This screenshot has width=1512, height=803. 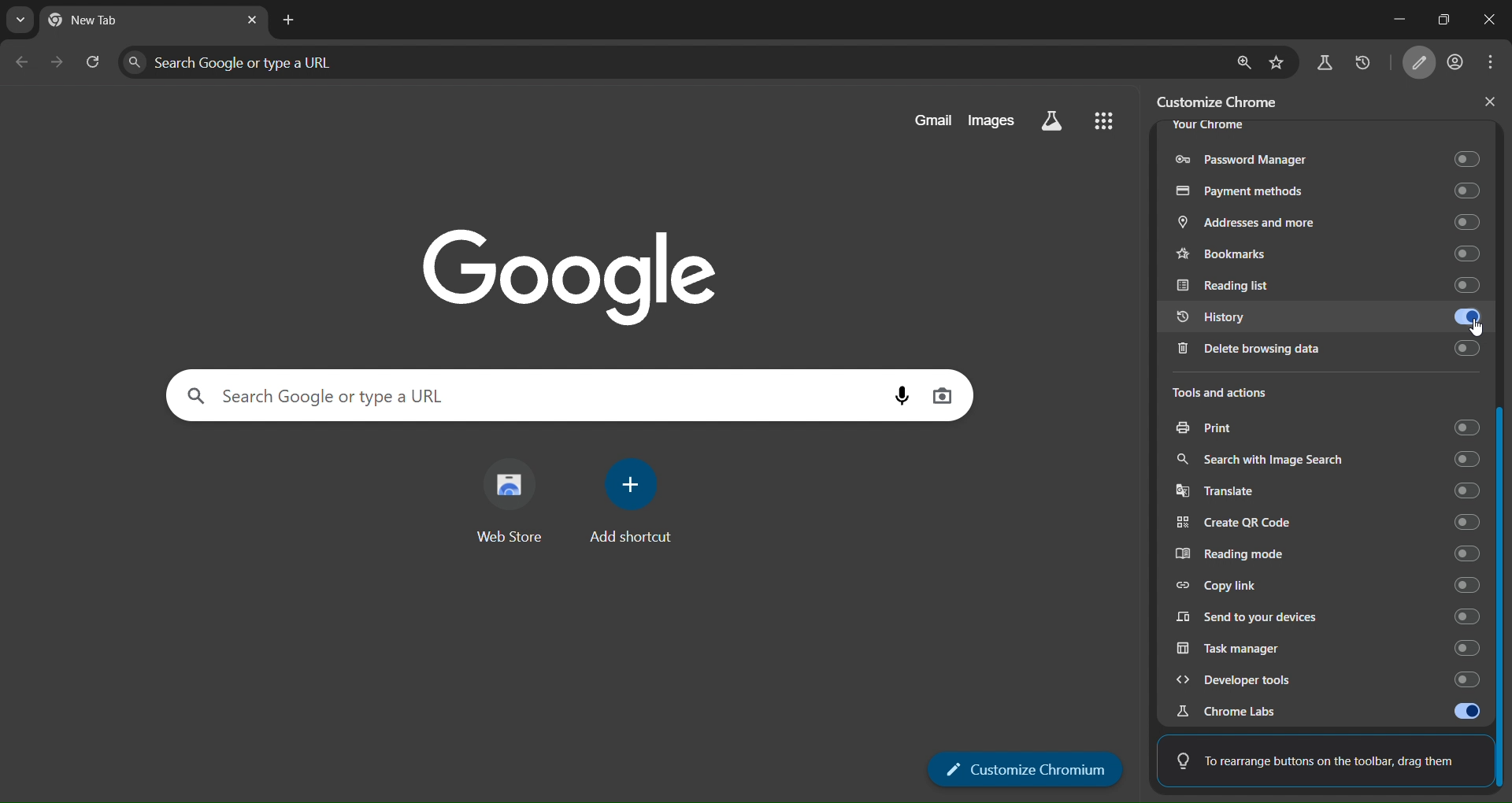 What do you see at coordinates (1495, 62) in the screenshot?
I see `menu` at bounding box center [1495, 62].